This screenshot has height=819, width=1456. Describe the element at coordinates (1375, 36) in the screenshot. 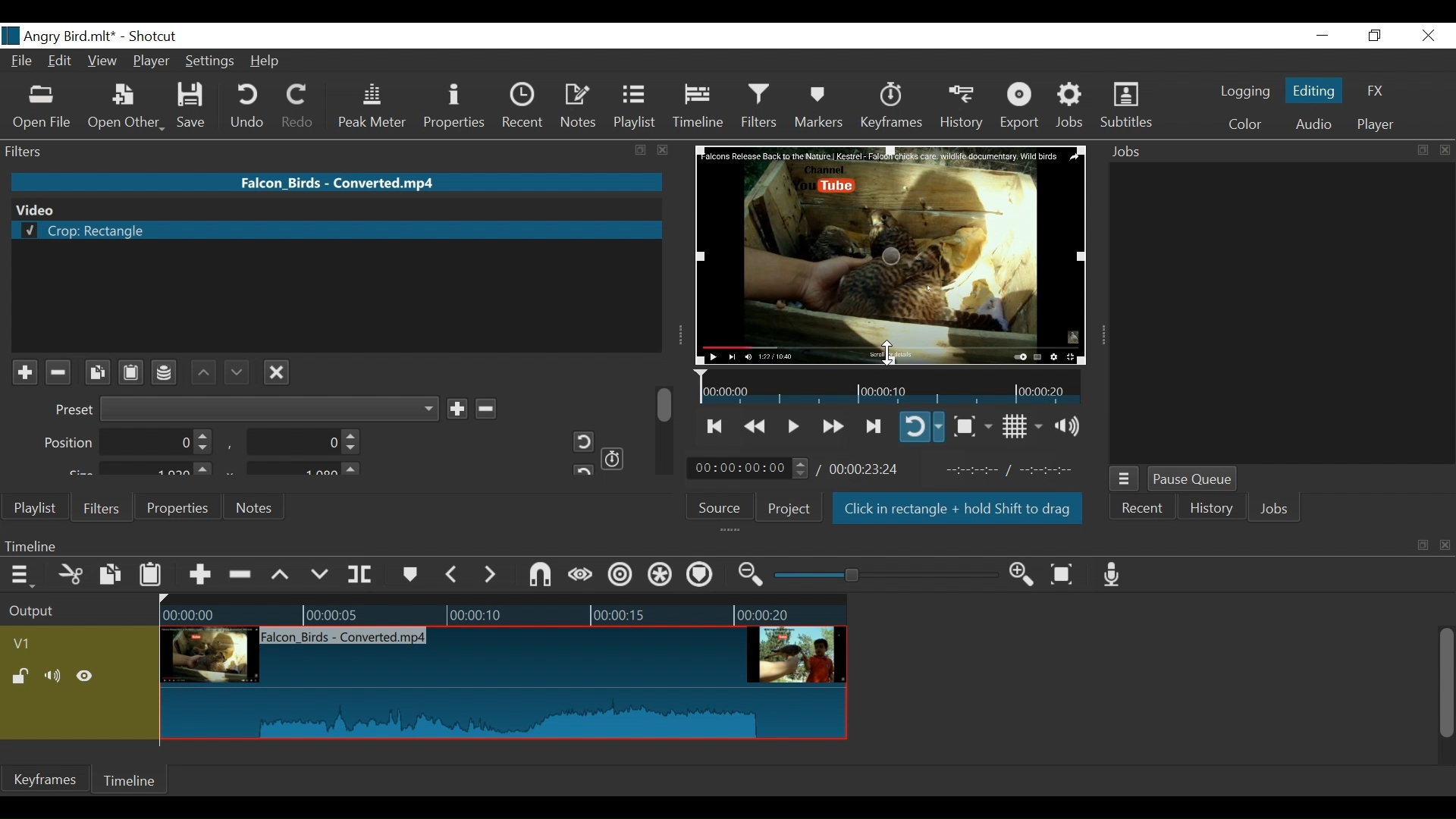

I see `Restore` at that location.